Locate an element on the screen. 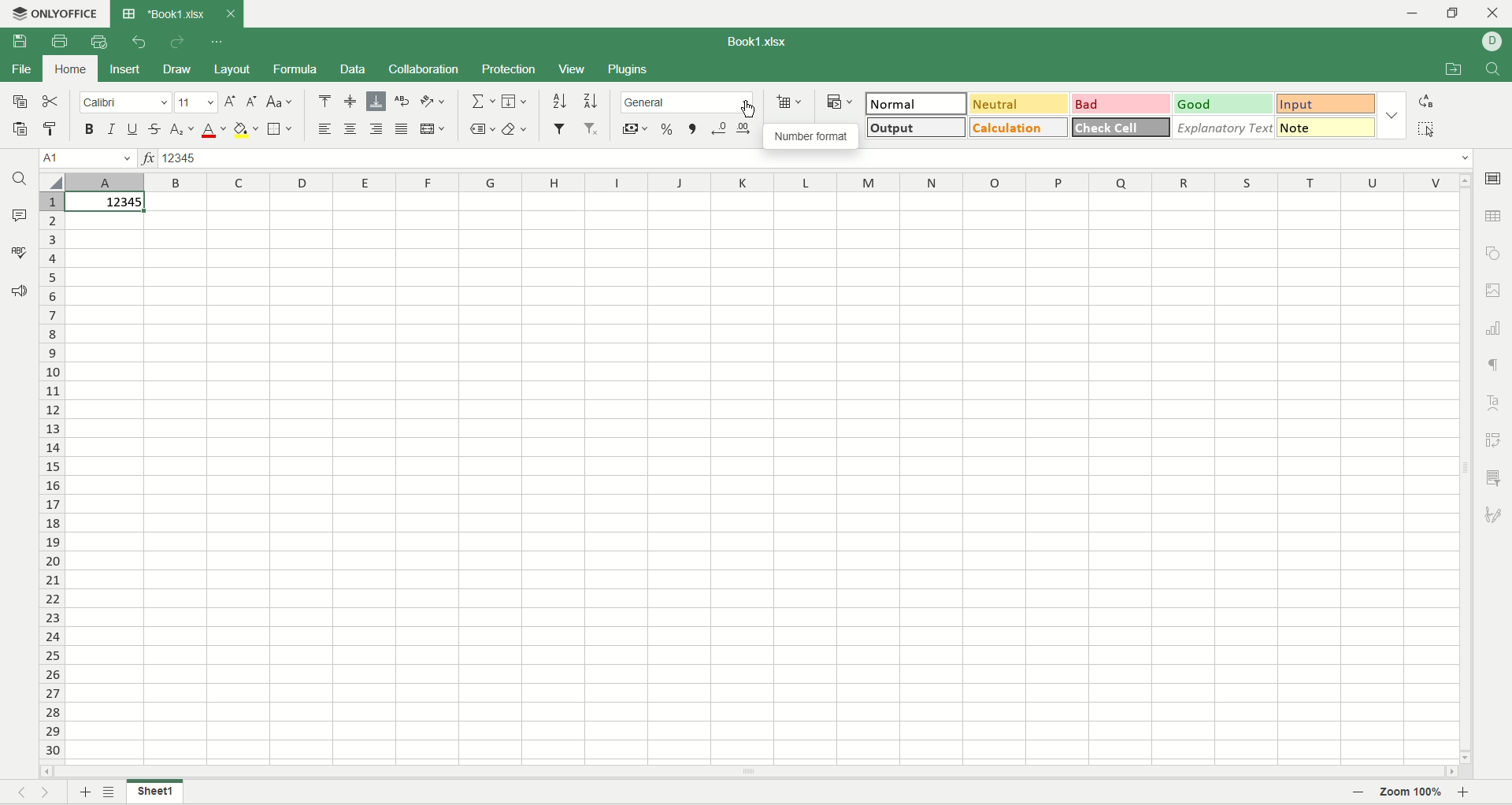 The image size is (1512, 805). vertical scroll bar is located at coordinates (1467, 469).